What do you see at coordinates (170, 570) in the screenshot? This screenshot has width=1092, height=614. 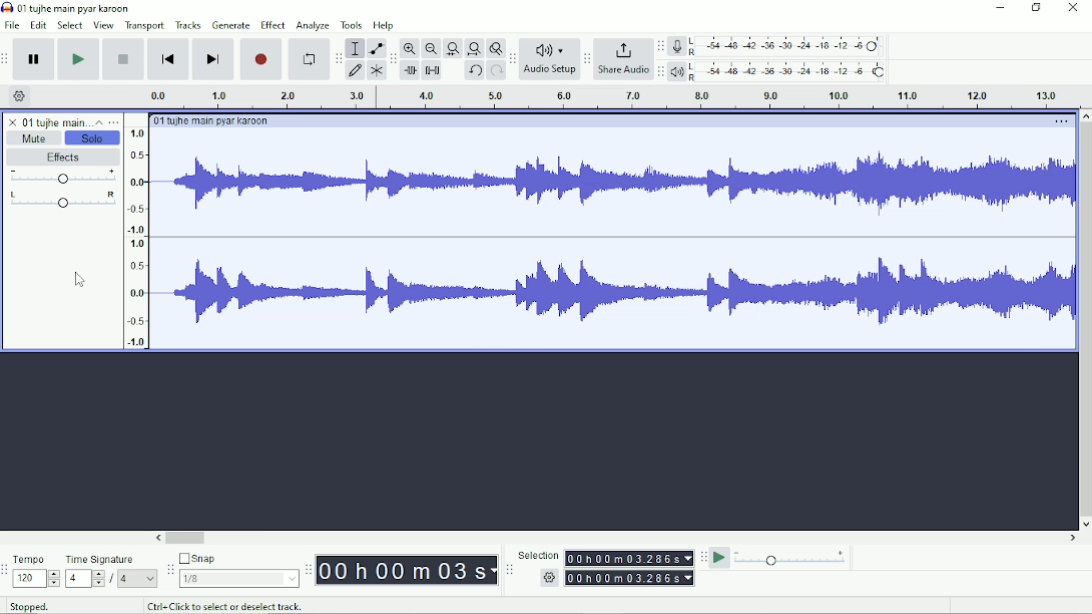 I see `Audacity snapping toolbar` at bounding box center [170, 570].